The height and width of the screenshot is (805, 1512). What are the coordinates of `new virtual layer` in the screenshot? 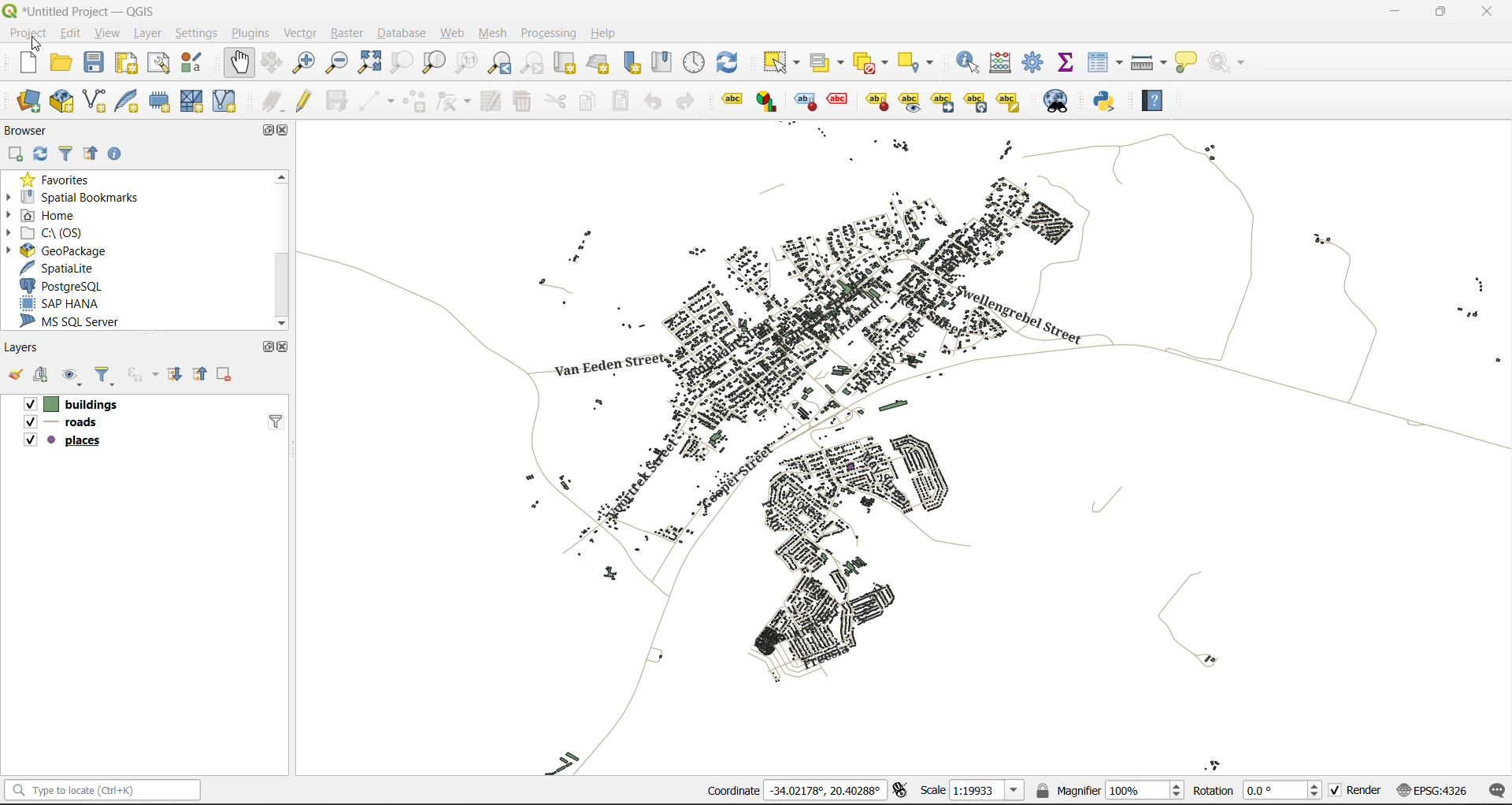 It's located at (225, 100).